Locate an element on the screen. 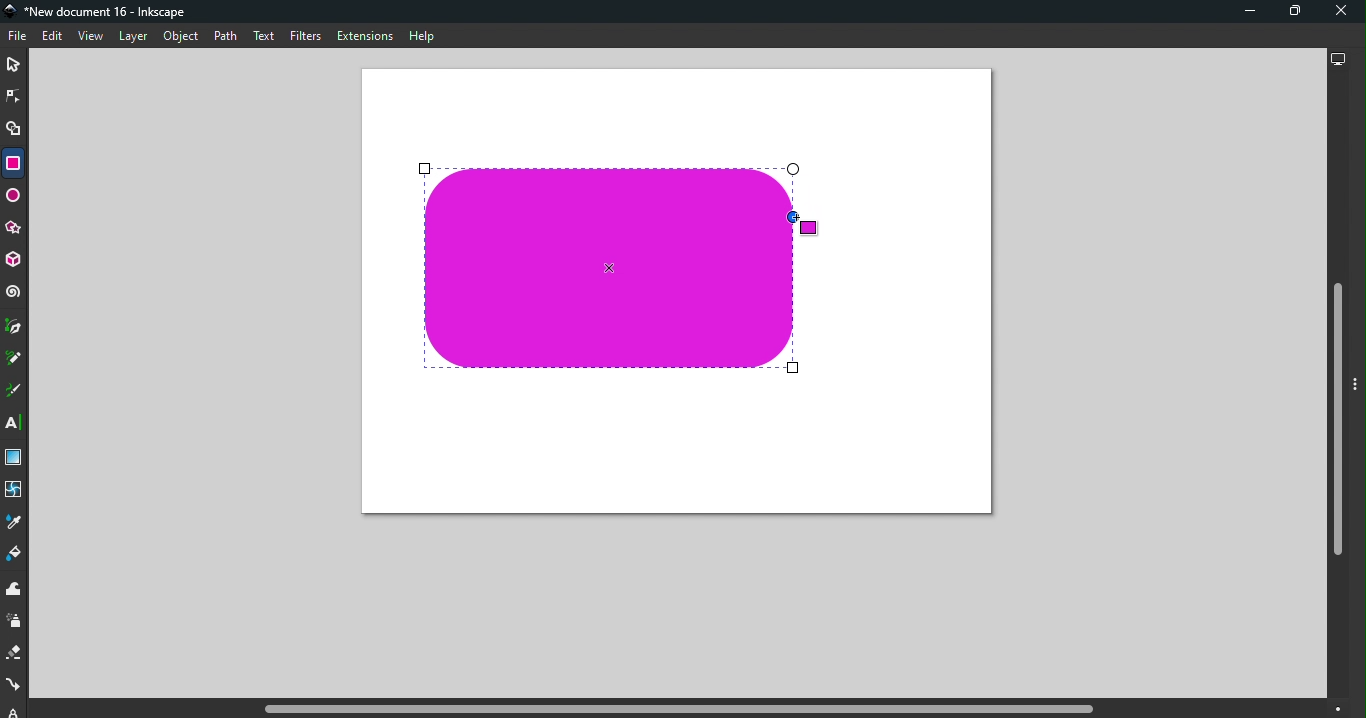 The width and height of the screenshot is (1366, 718). Close is located at coordinates (1341, 12).